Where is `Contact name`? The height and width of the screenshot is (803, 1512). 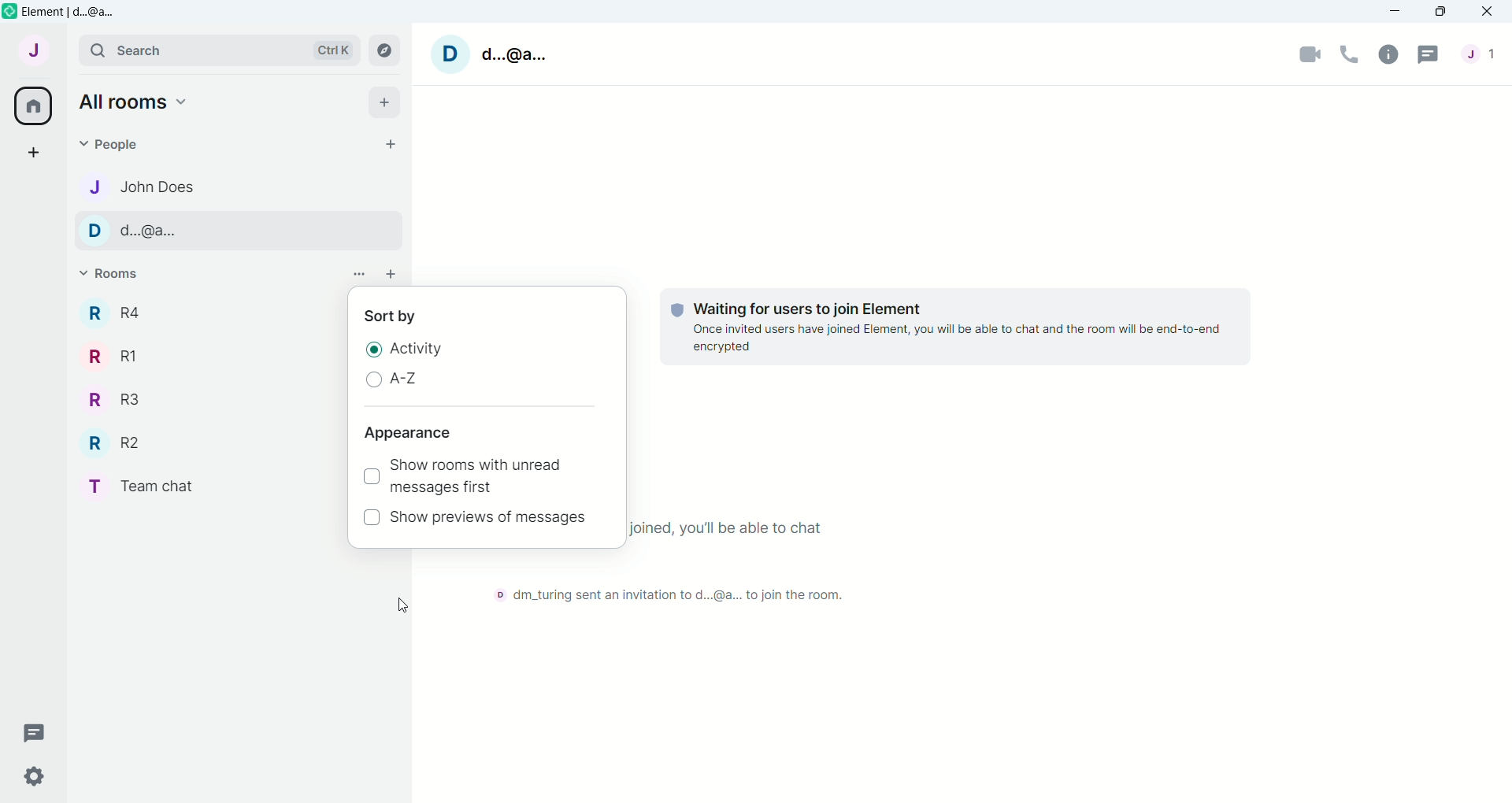 Contact name is located at coordinates (171, 229).